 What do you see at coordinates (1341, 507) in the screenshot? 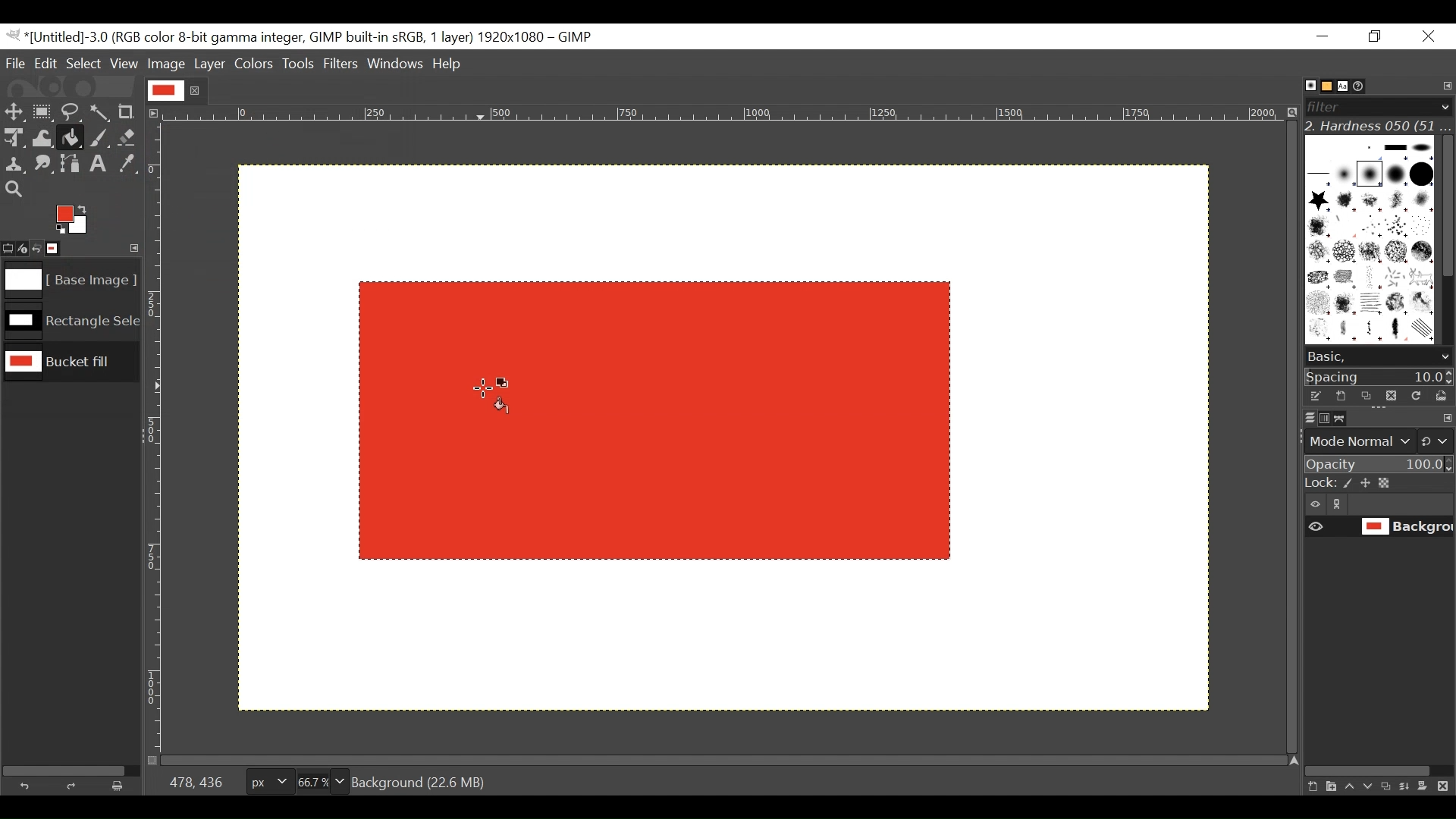
I see `link/unlink item` at bounding box center [1341, 507].